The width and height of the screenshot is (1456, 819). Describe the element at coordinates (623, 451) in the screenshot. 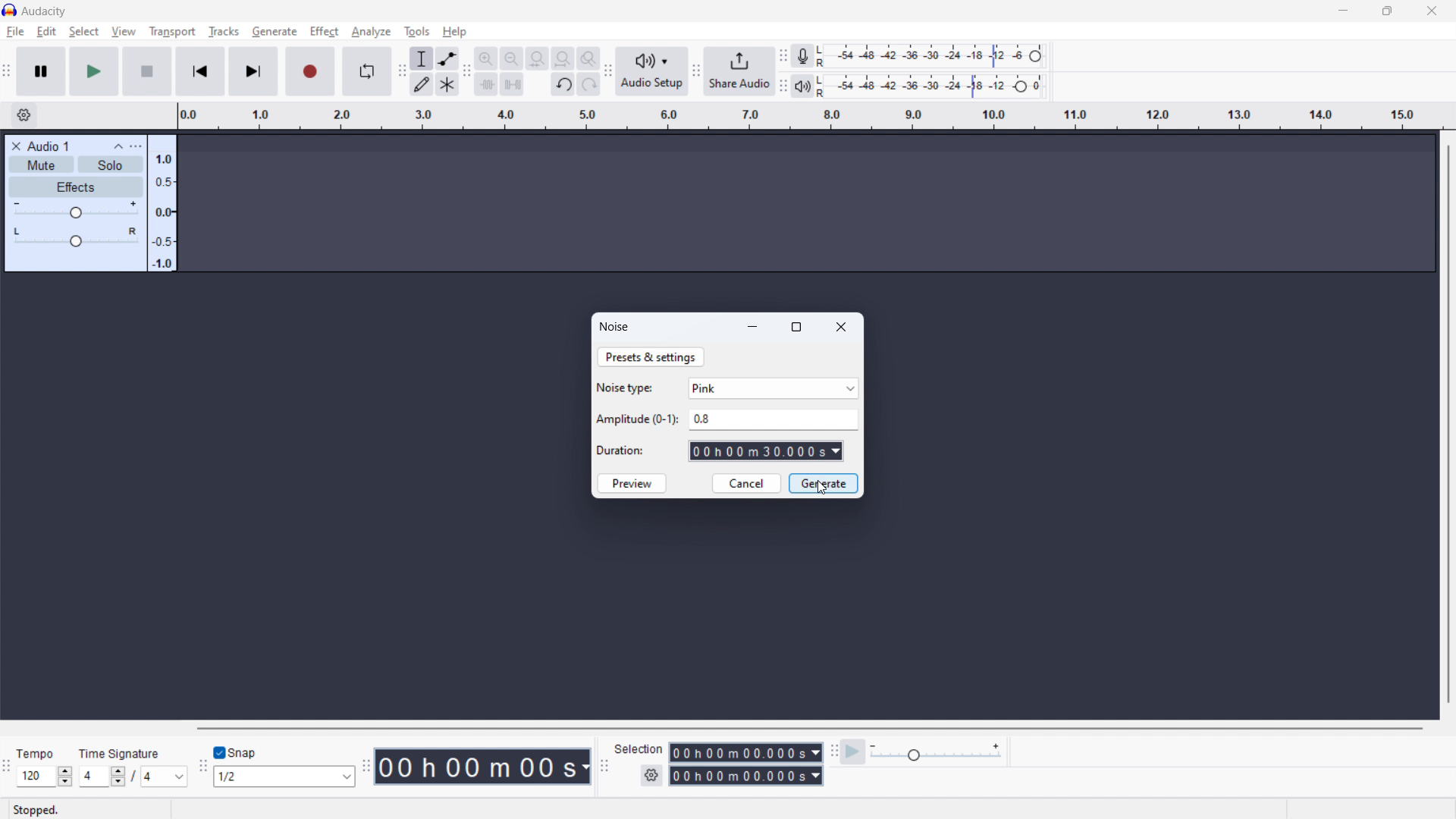

I see `Duration` at that location.